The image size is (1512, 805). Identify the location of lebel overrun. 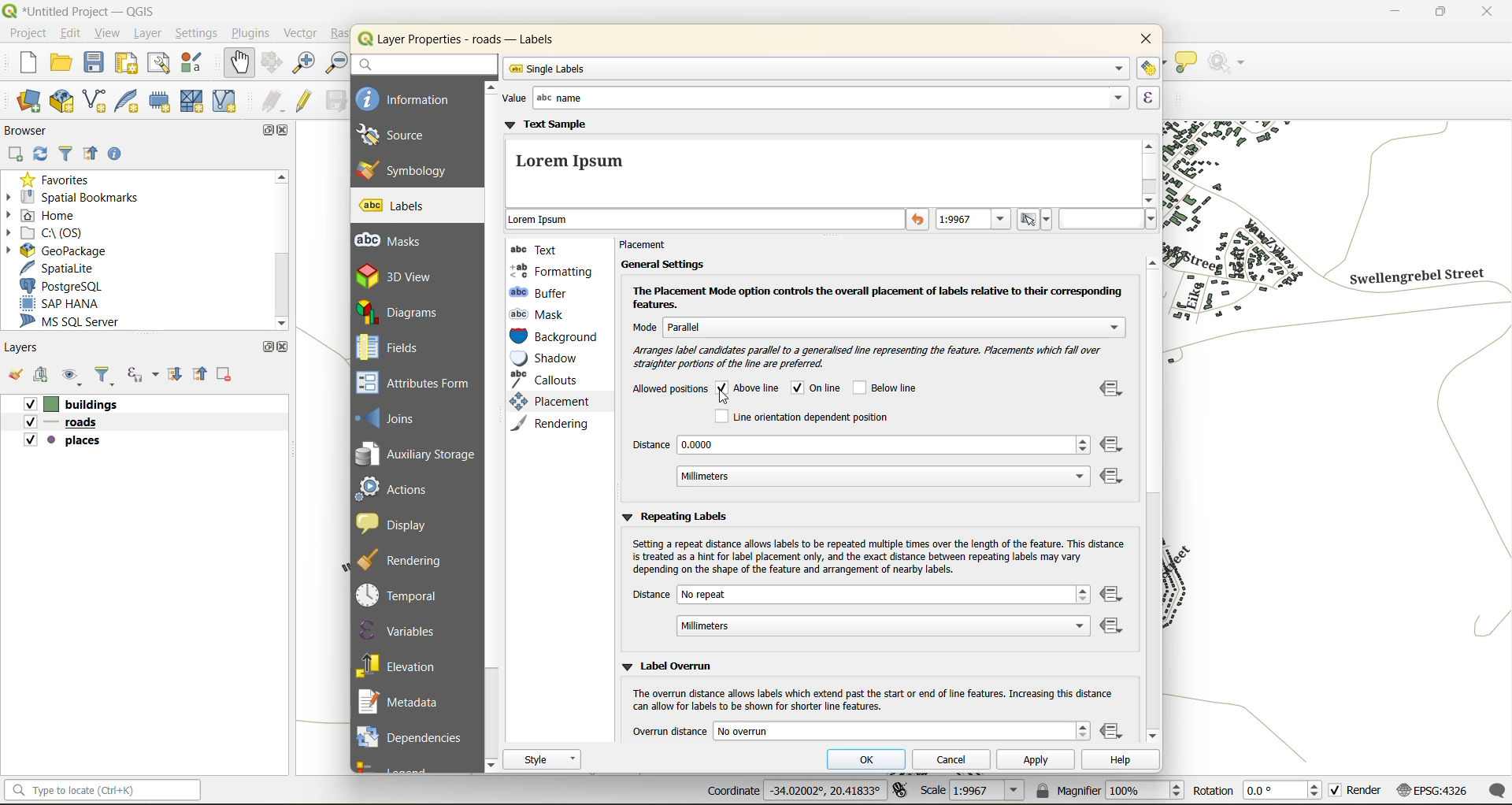
(870, 686).